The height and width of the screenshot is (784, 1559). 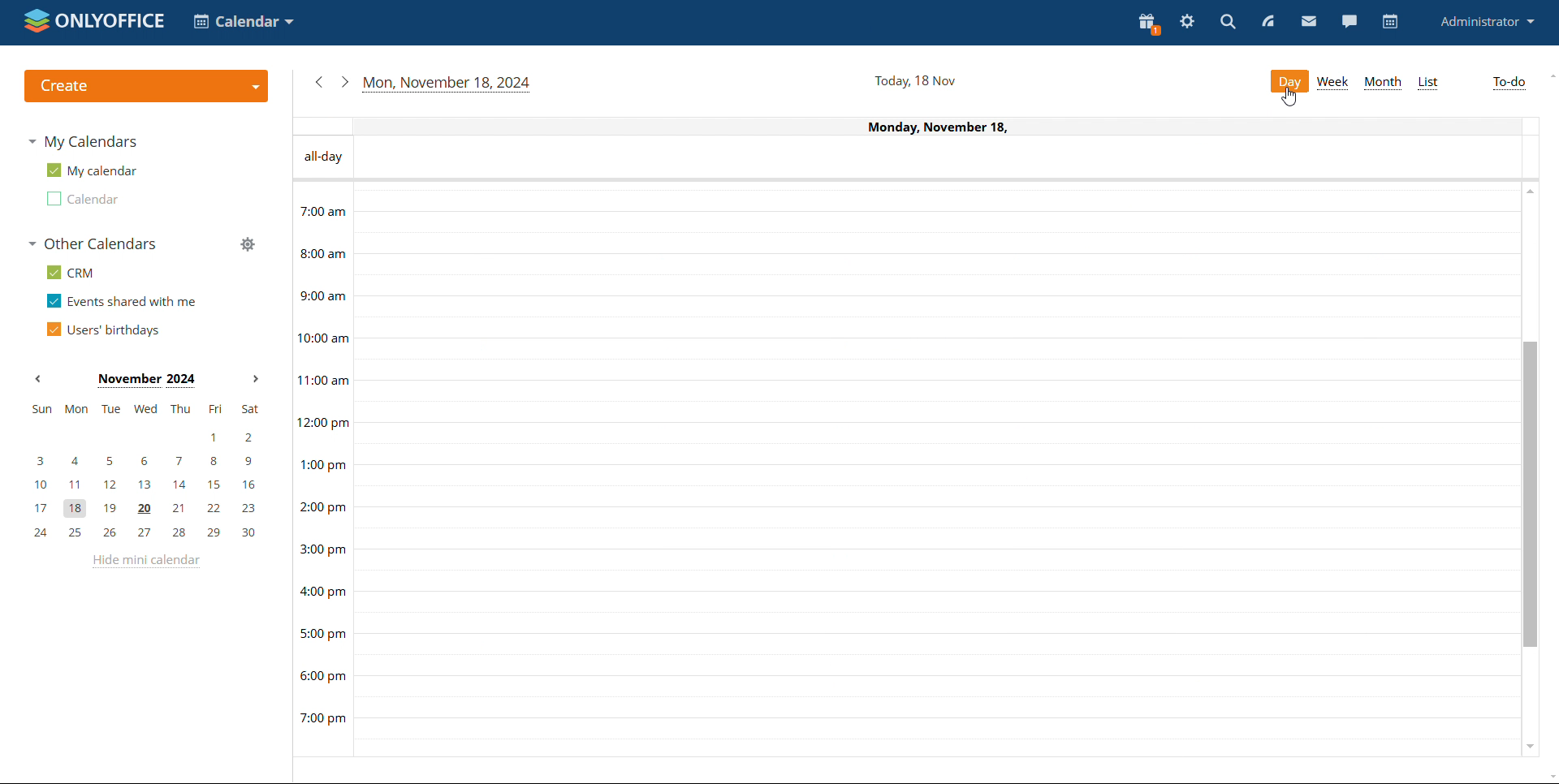 I want to click on current day, so click(x=447, y=84).